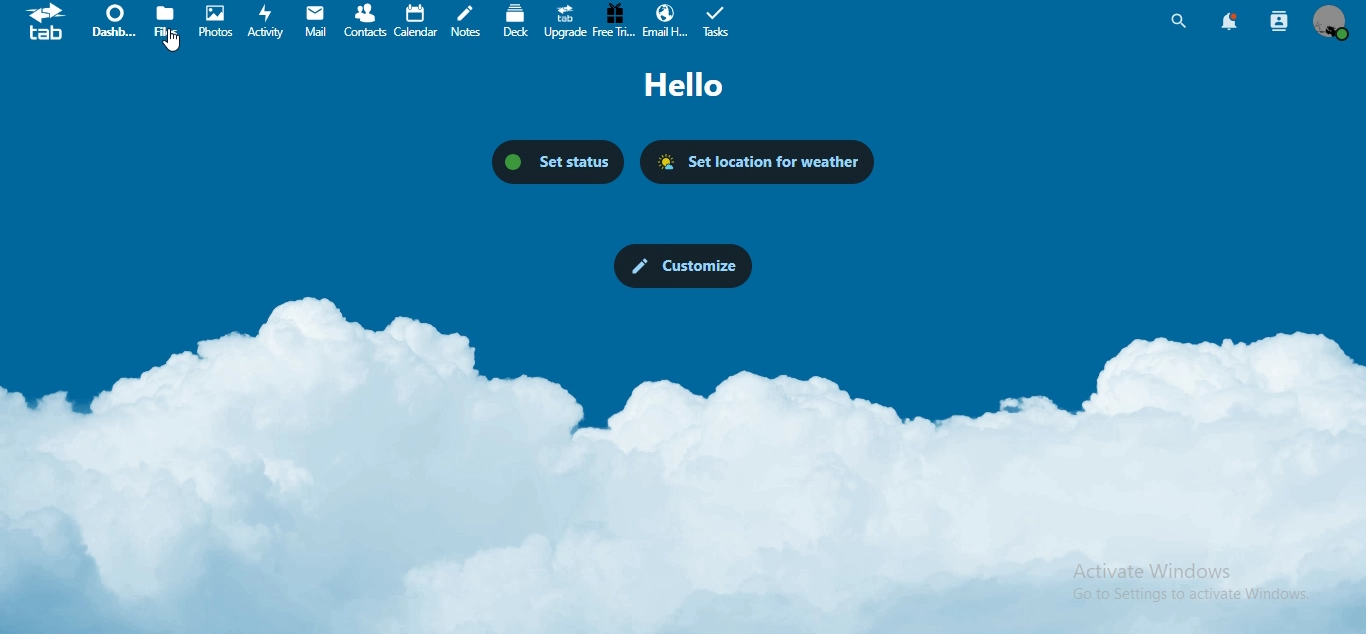 This screenshot has height=634, width=1366. Describe the element at coordinates (172, 46) in the screenshot. I see `Mouse Cursor` at that location.